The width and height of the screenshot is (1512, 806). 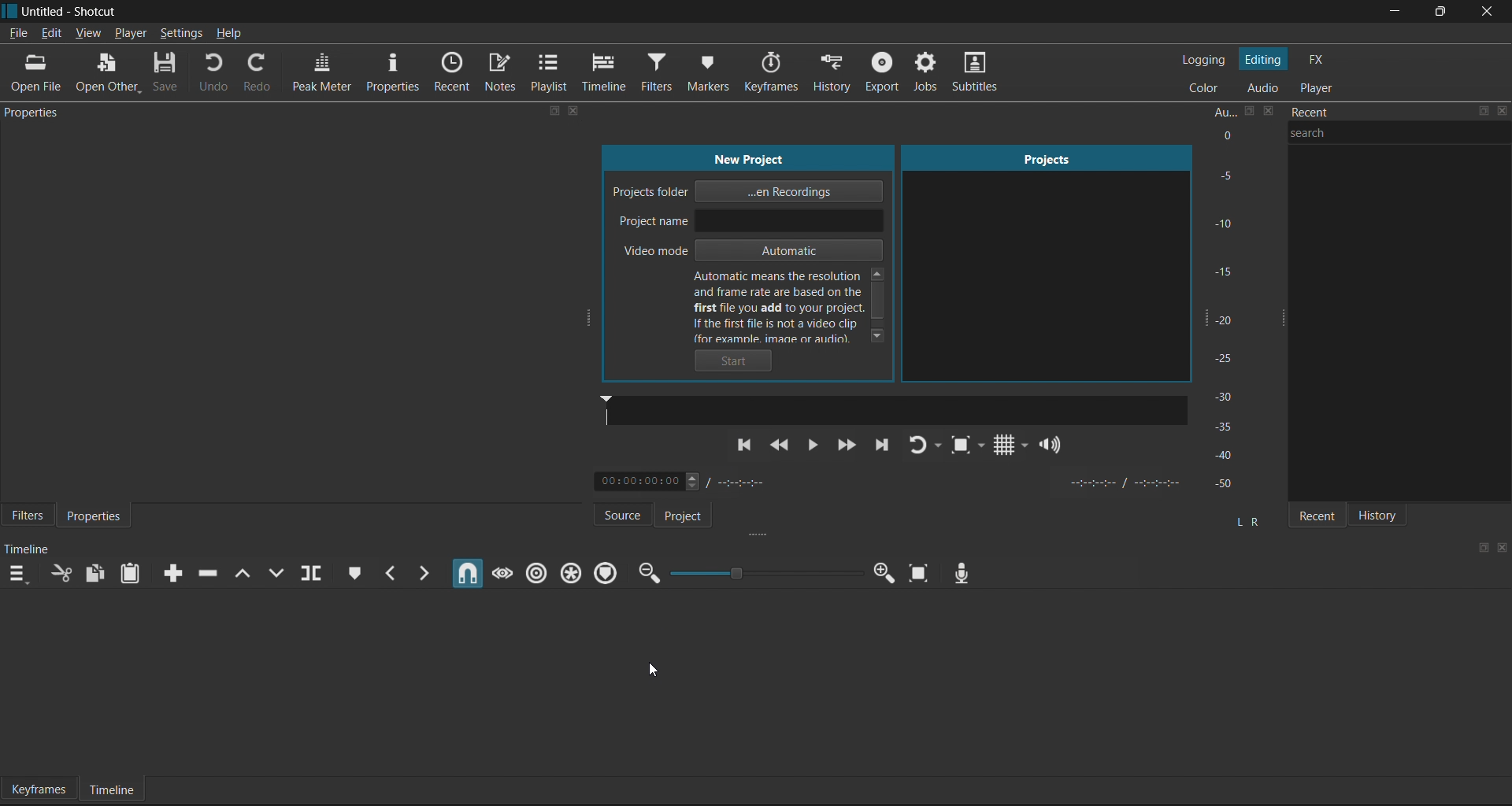 I want to click on Color, so click(x=1207, y=87).